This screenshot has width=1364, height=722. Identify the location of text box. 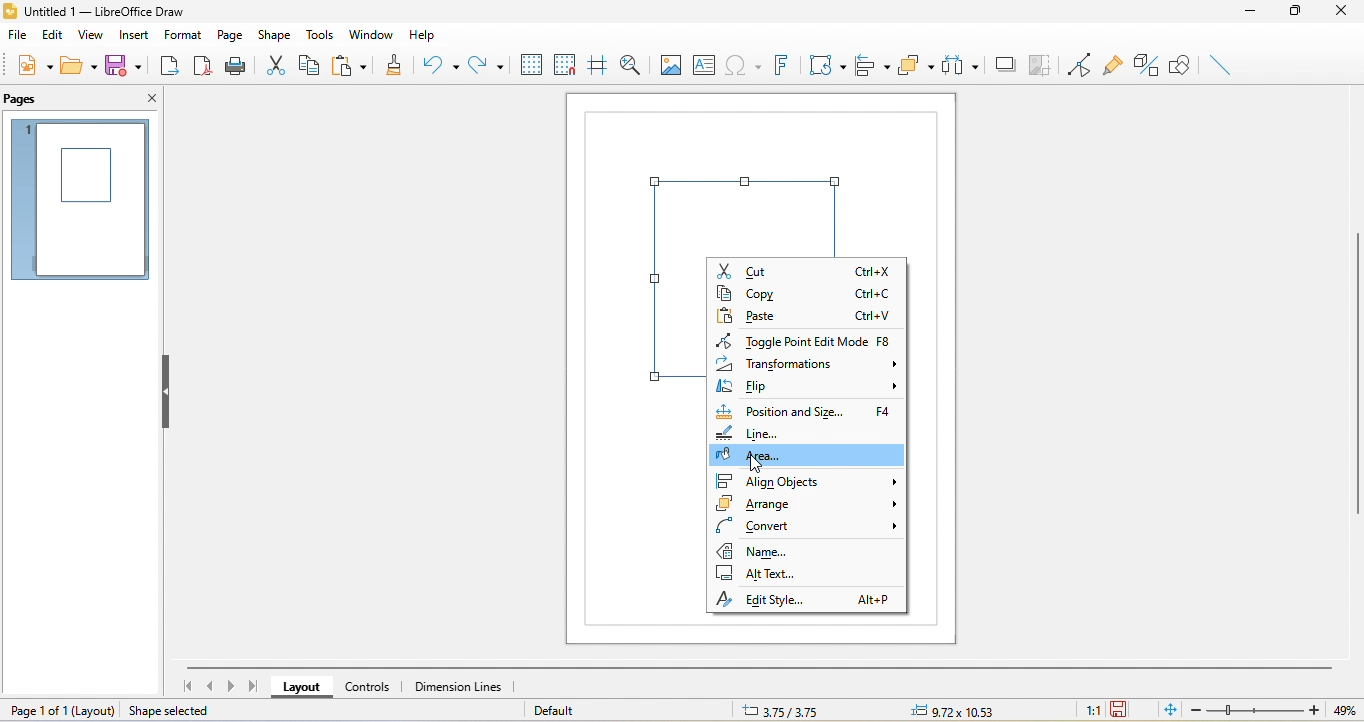
(707, 63).